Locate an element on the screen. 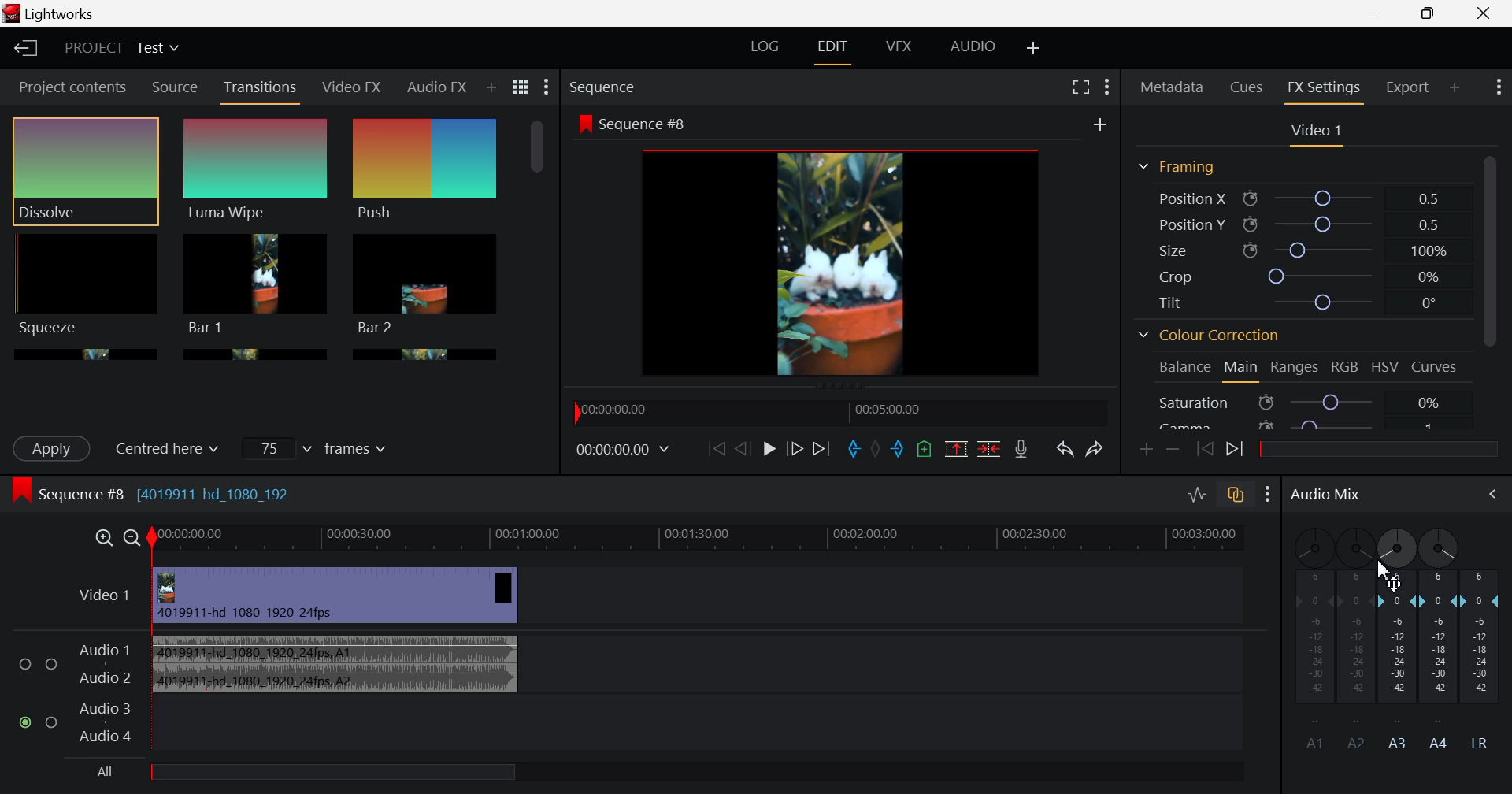  Sequence Preview Screen is located at coordinates (844, 247).